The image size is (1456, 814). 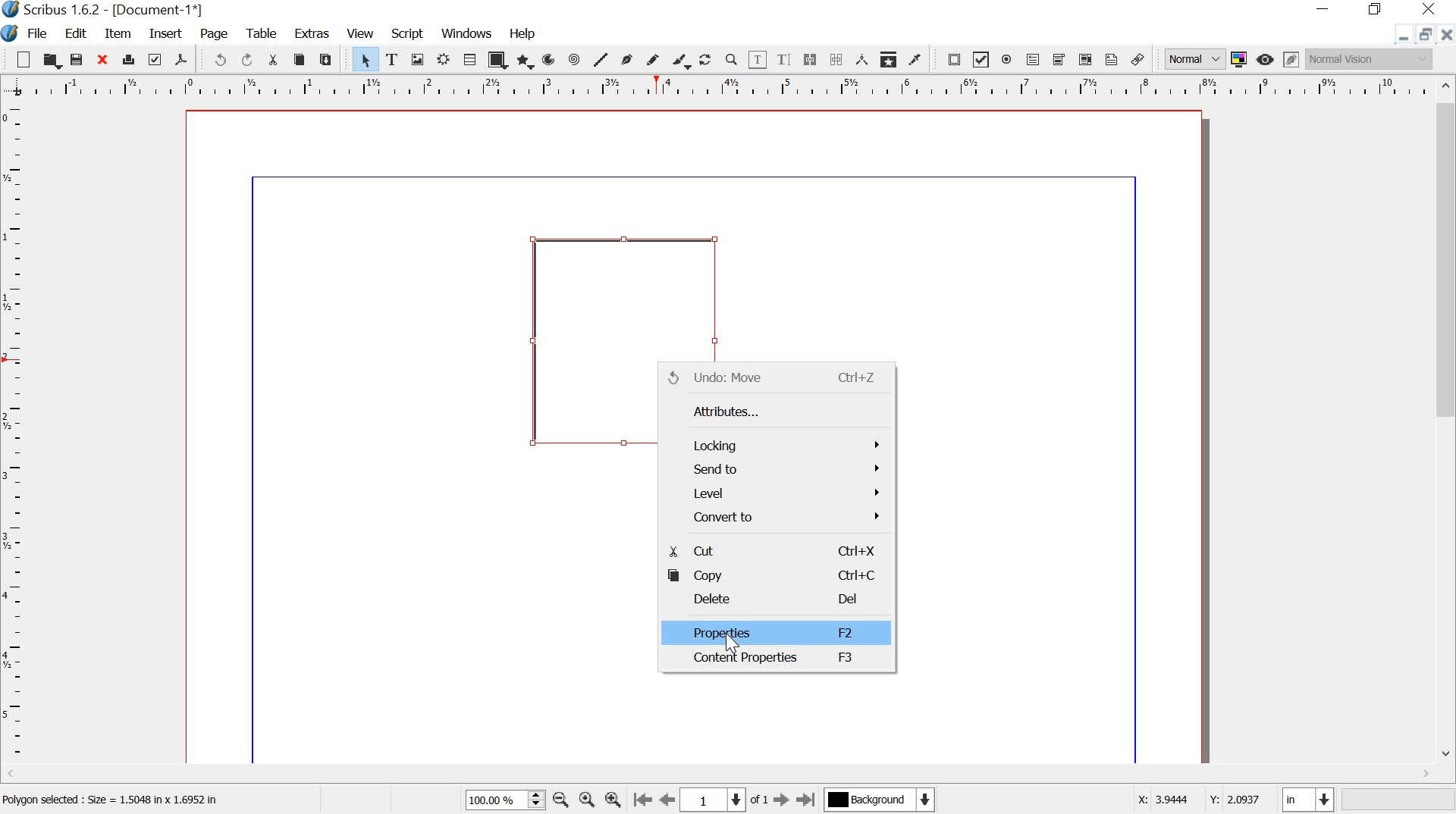 What do you see at coordinates (586, 800) in the screenshot?
I see `zoom to` at bounding box center [586, 800].